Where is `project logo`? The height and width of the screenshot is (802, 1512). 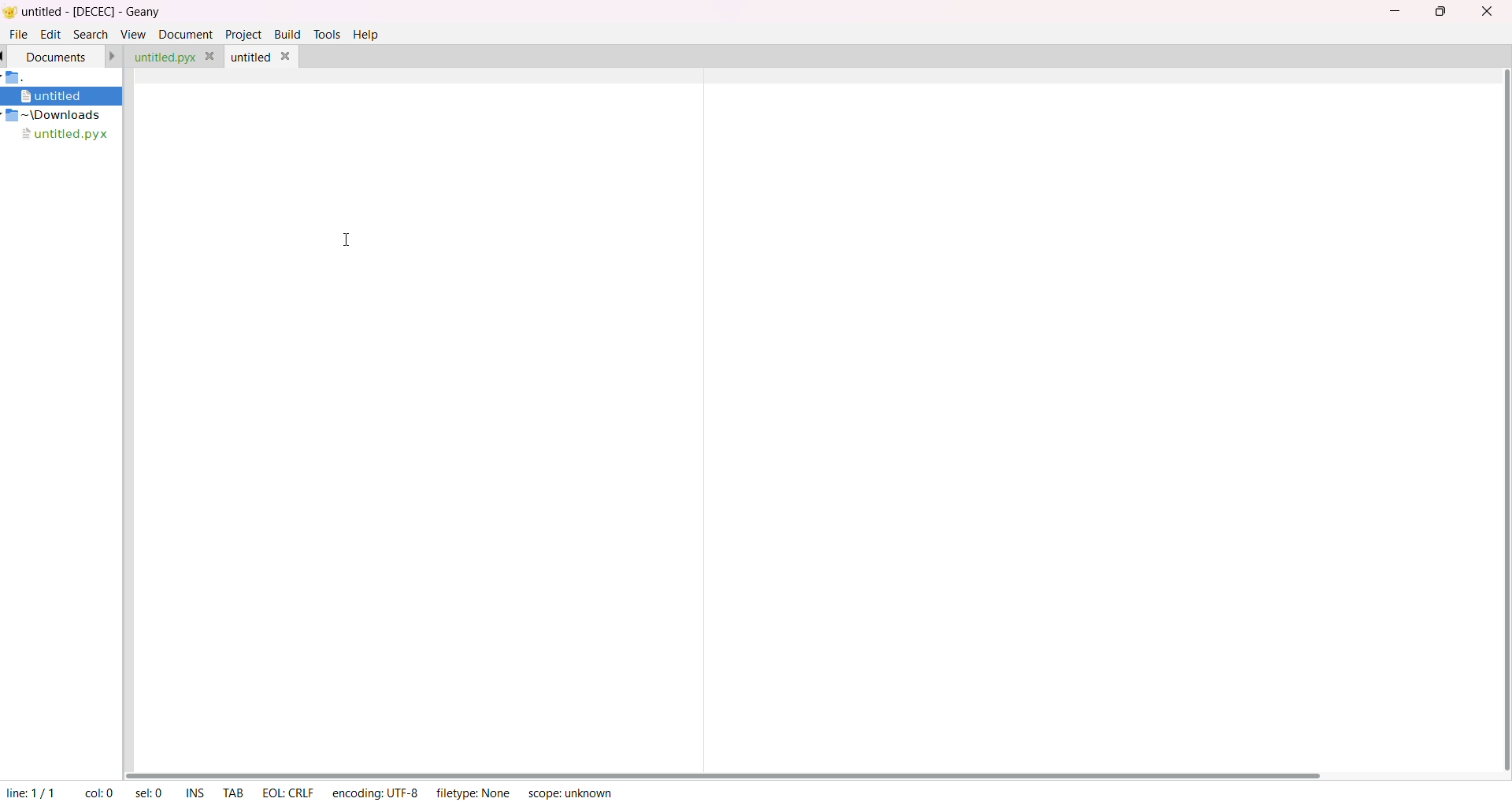
project logo is located at coordinates (17, 78).